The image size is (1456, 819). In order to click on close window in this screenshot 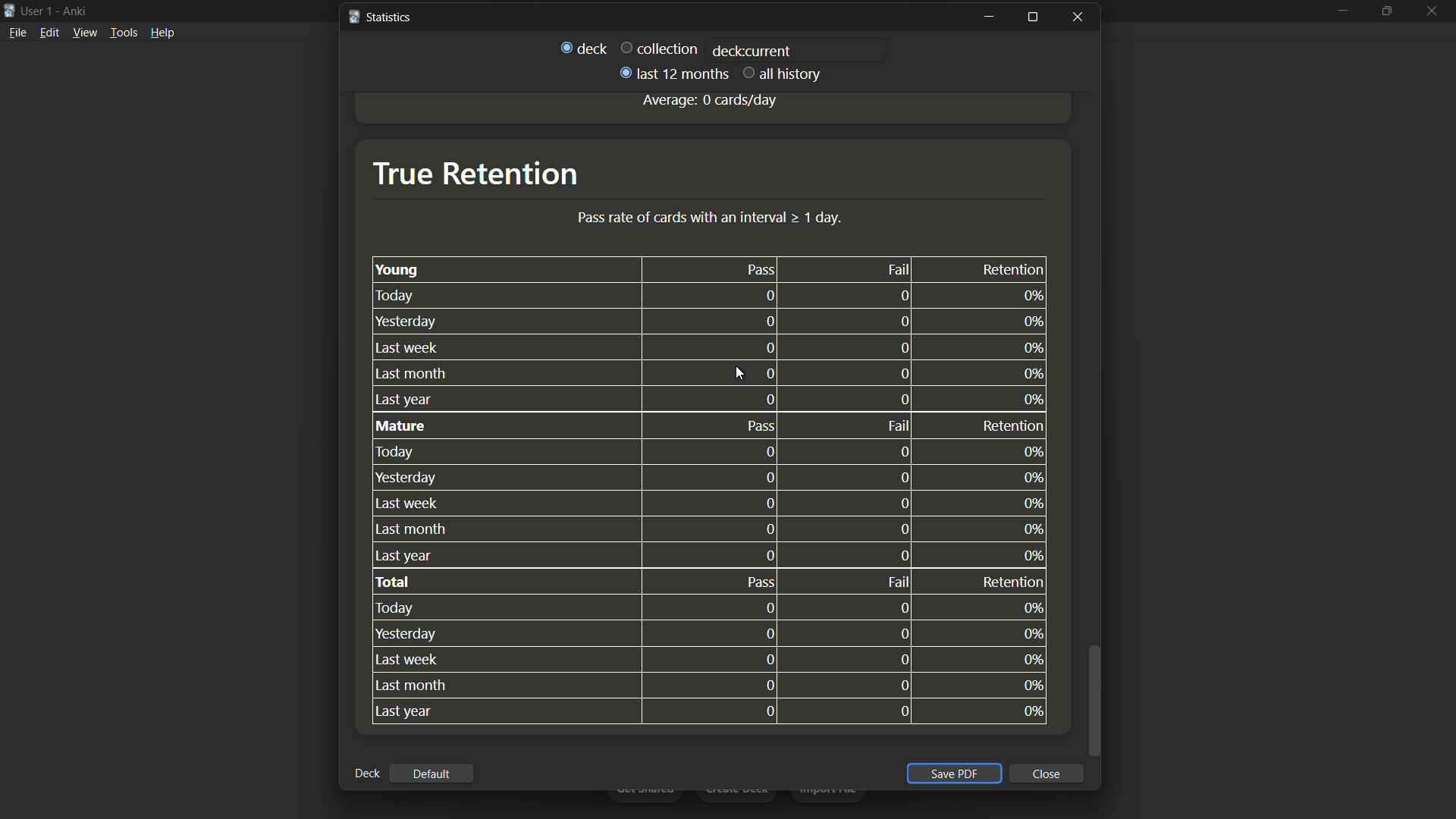, I will do `click(1078, 16)`.